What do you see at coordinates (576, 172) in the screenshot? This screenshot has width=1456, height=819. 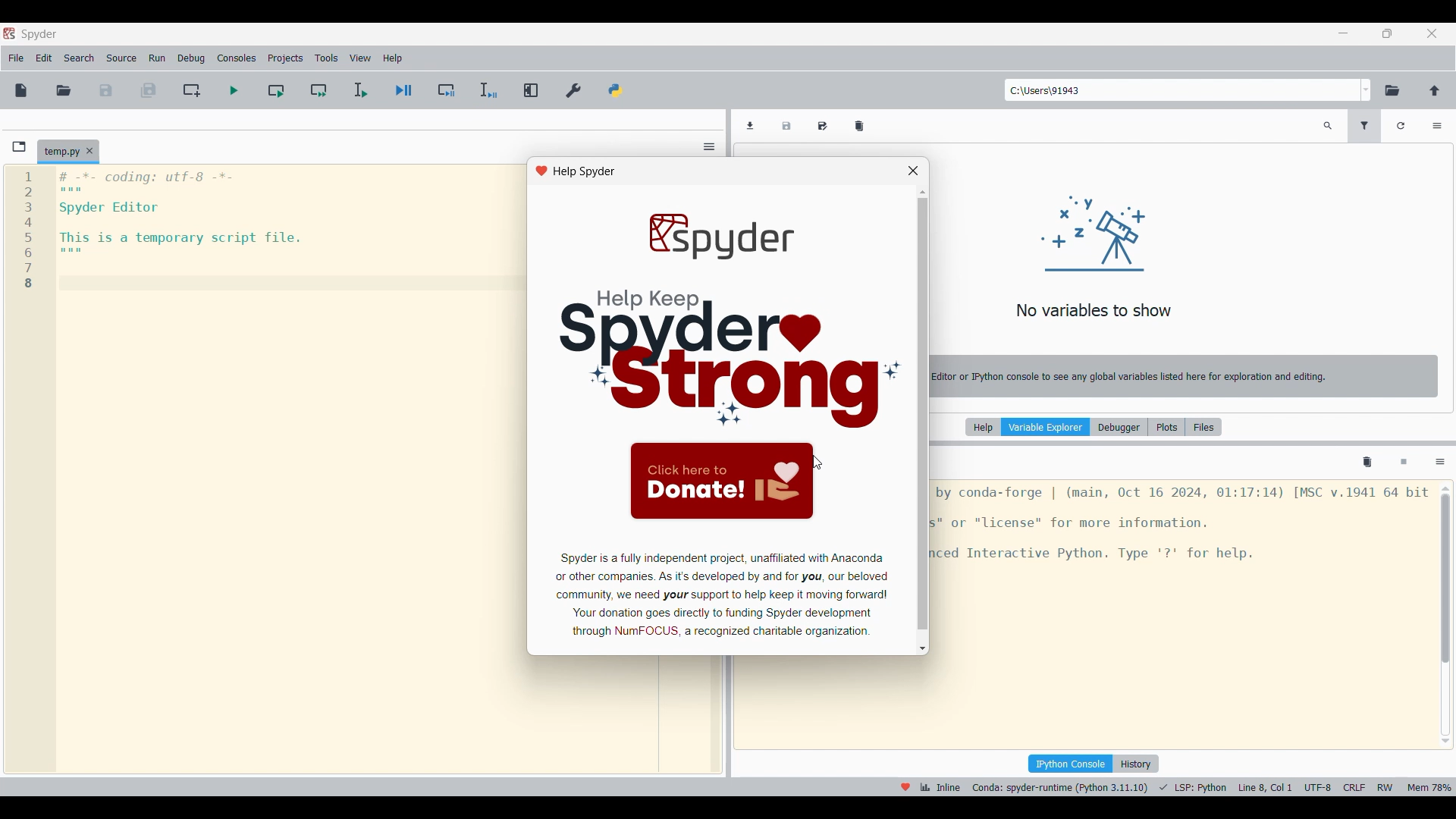 I see `help spyder` at bounding box center [576, 172].